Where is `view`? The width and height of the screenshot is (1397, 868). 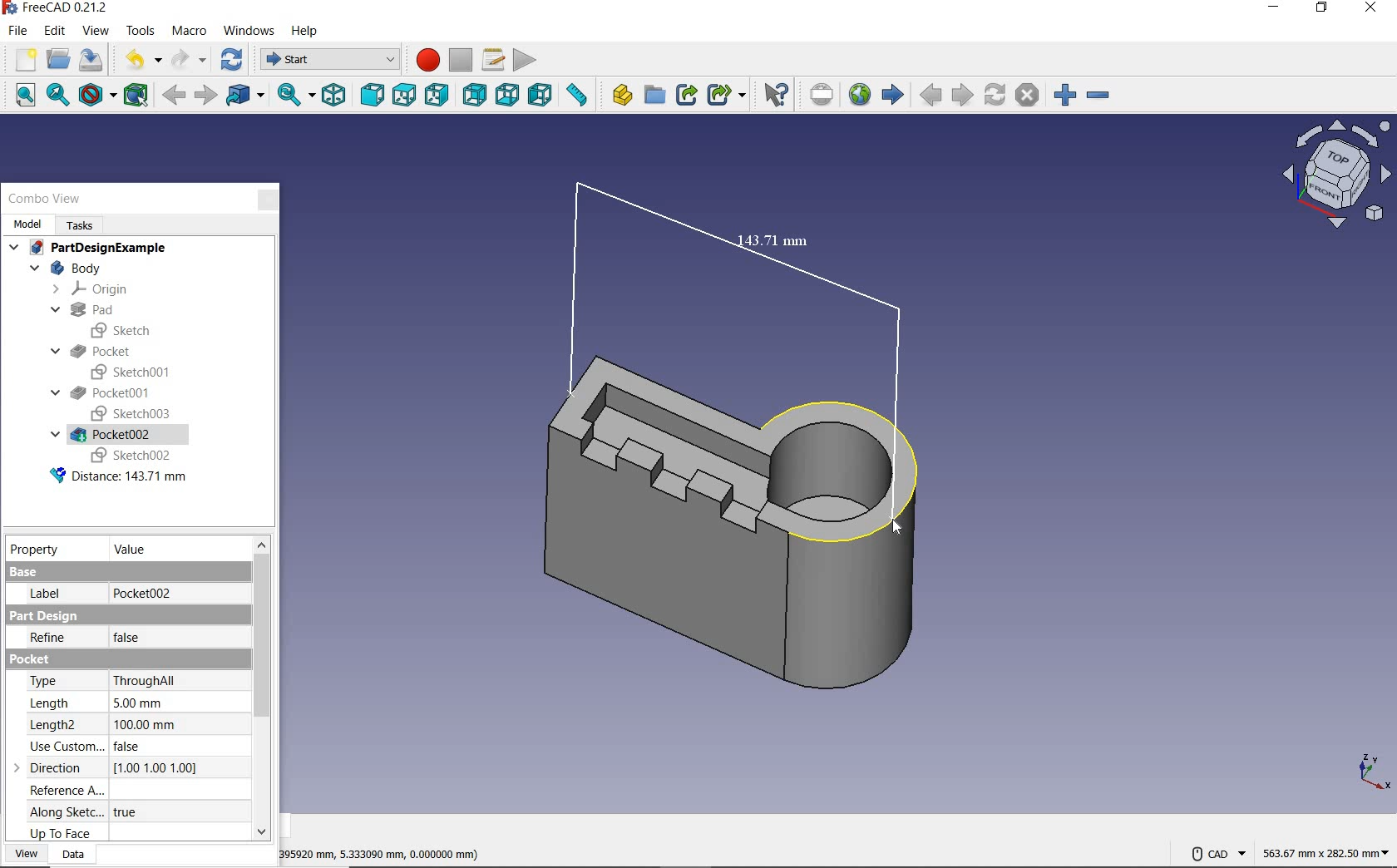
view is located at coordinates (94, 33).